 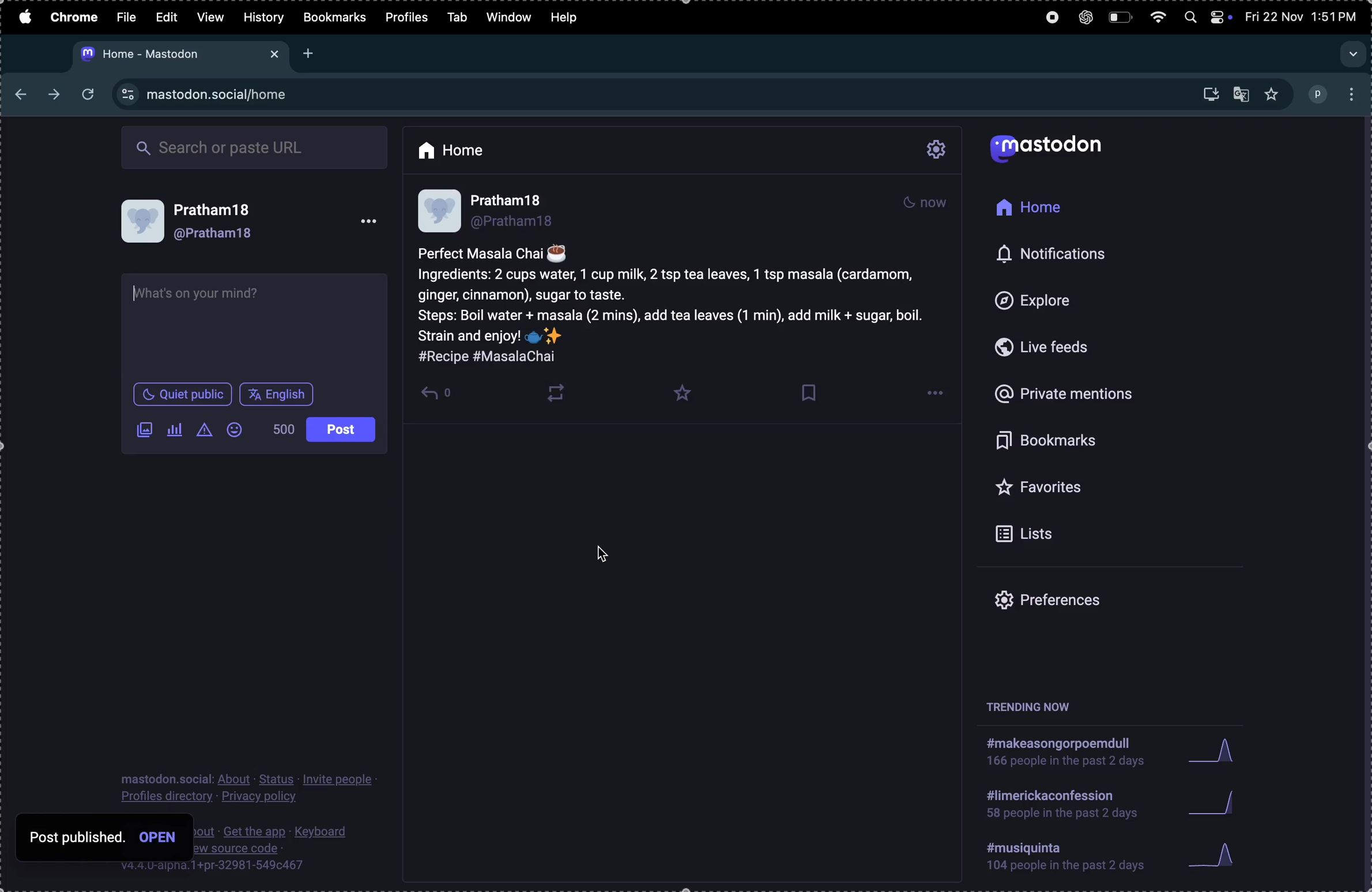 What do you see at coordinates (239, 430) in the screenshot?
I see `emoji` at bounding box center [239, 430].